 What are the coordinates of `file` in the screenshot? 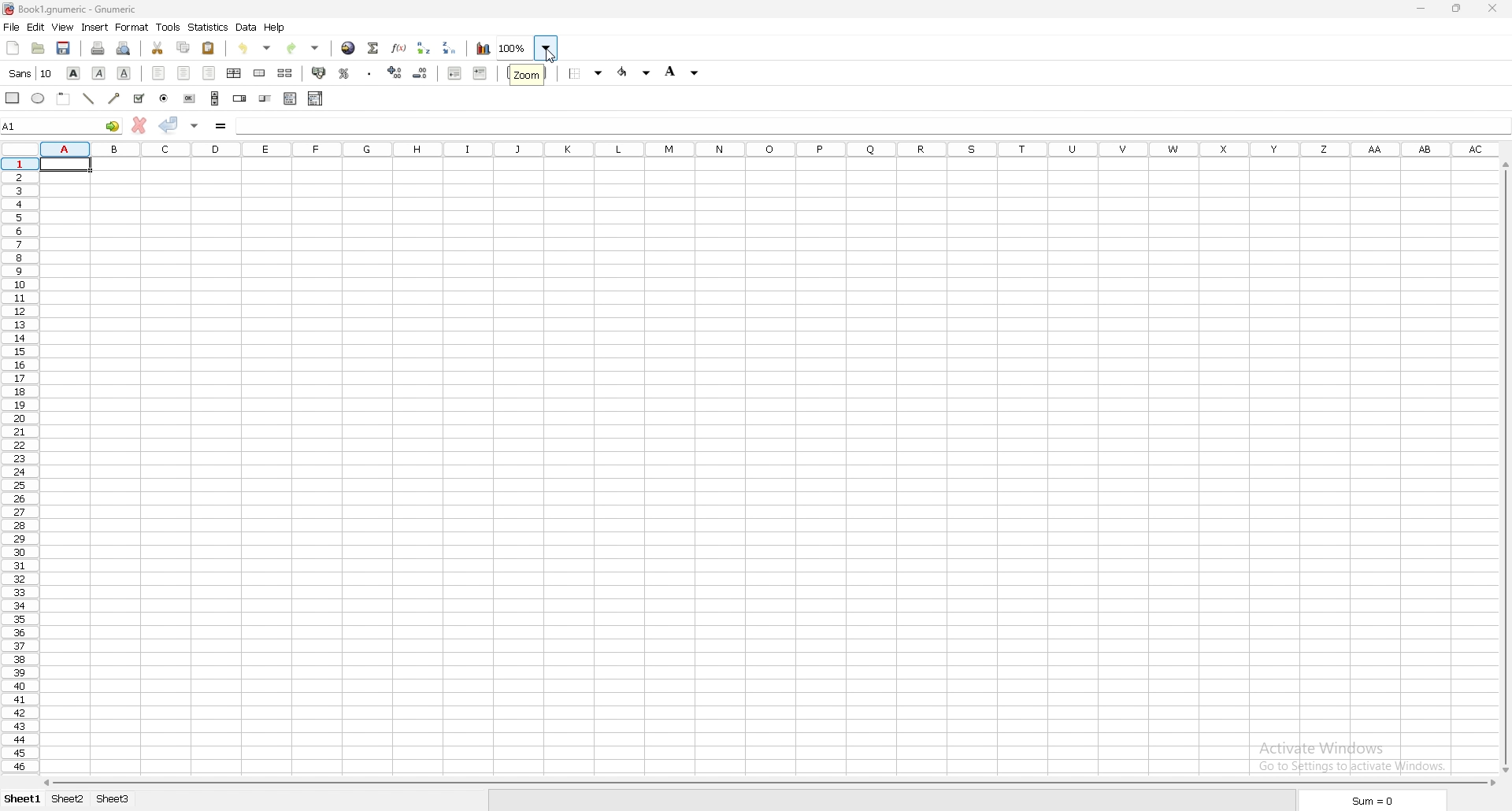 It's located at (13, 27).